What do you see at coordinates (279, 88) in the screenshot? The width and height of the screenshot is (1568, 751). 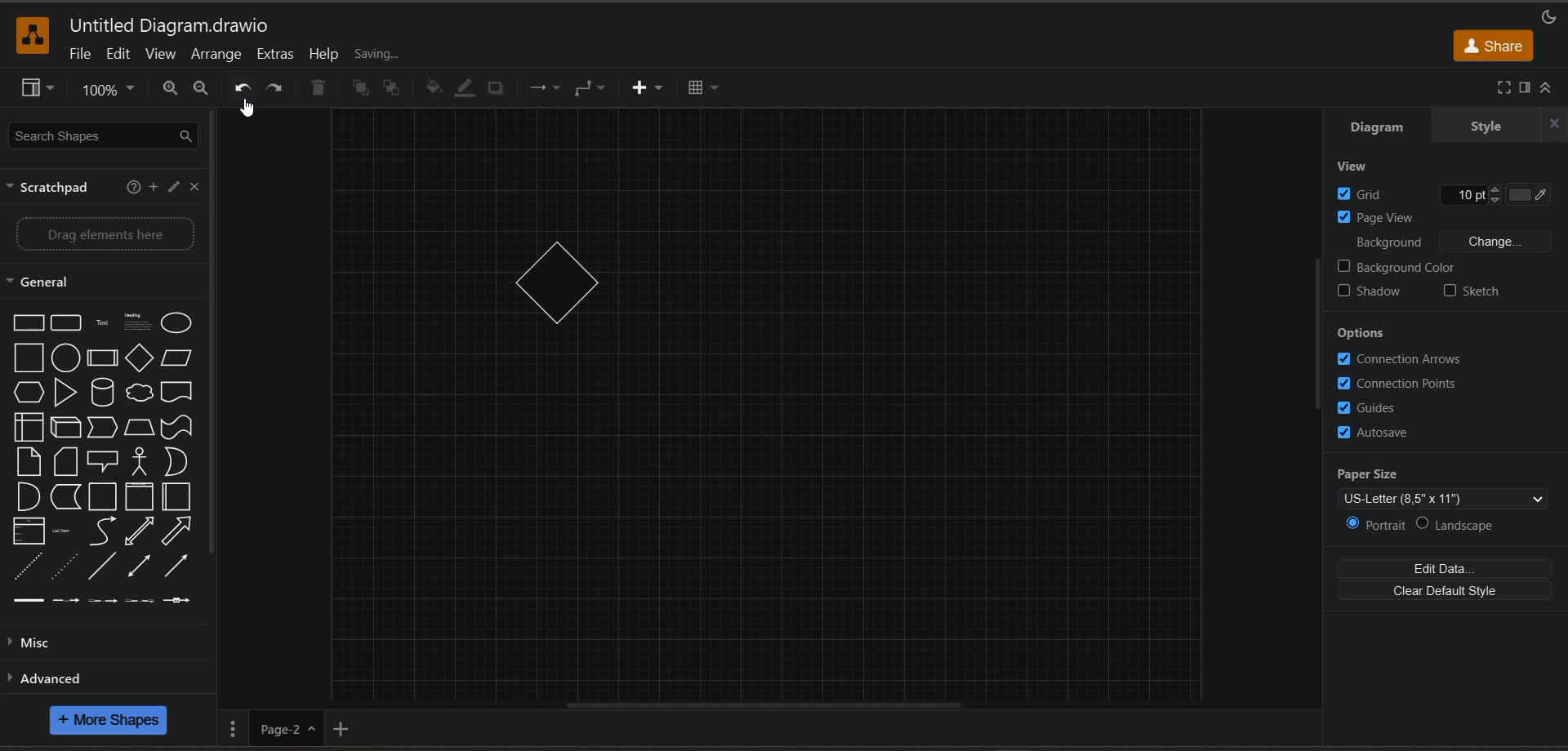 I see `redo` at bounding box center [279, 88].